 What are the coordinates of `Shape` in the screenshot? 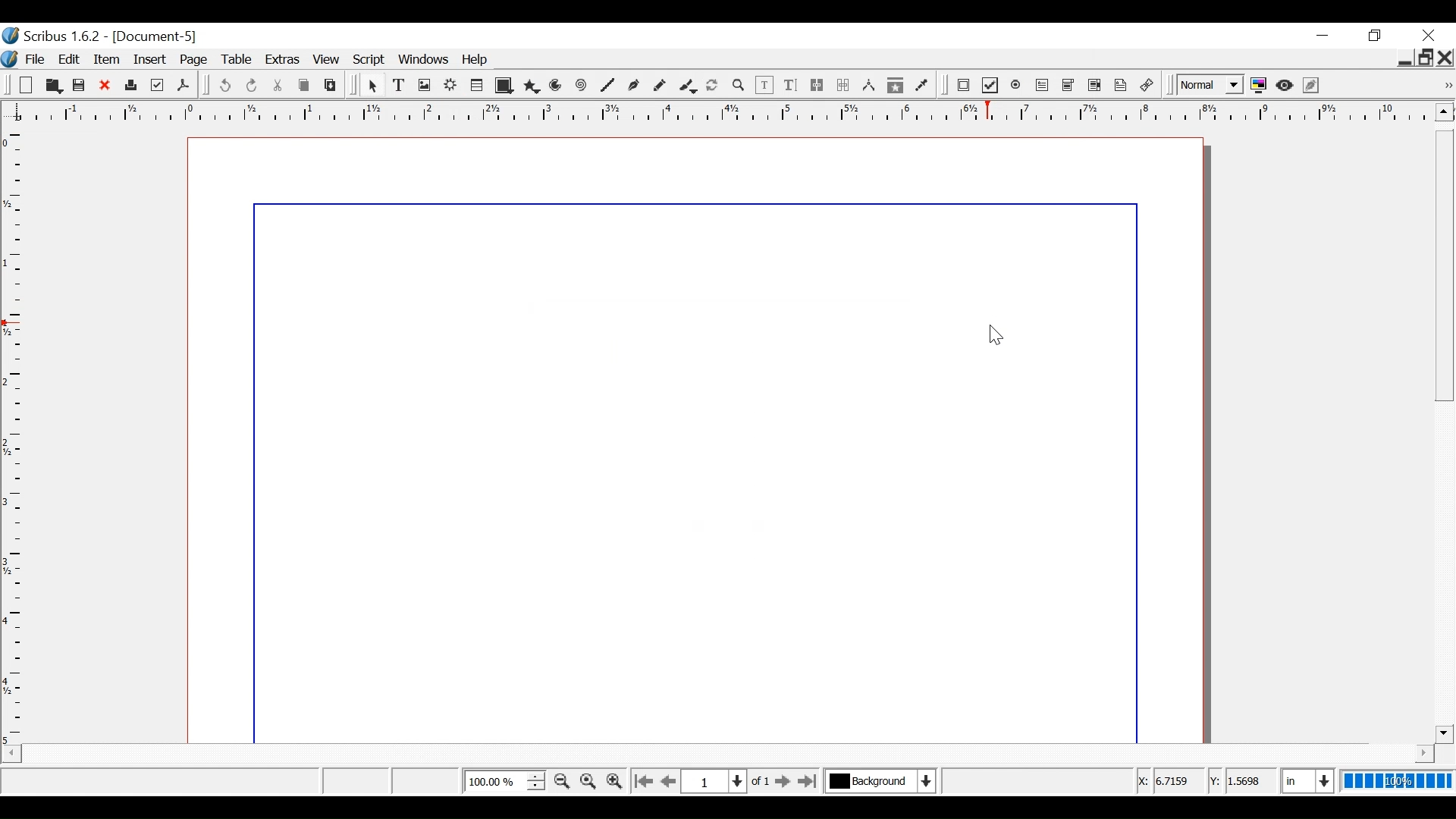 It's located at (502, 86).